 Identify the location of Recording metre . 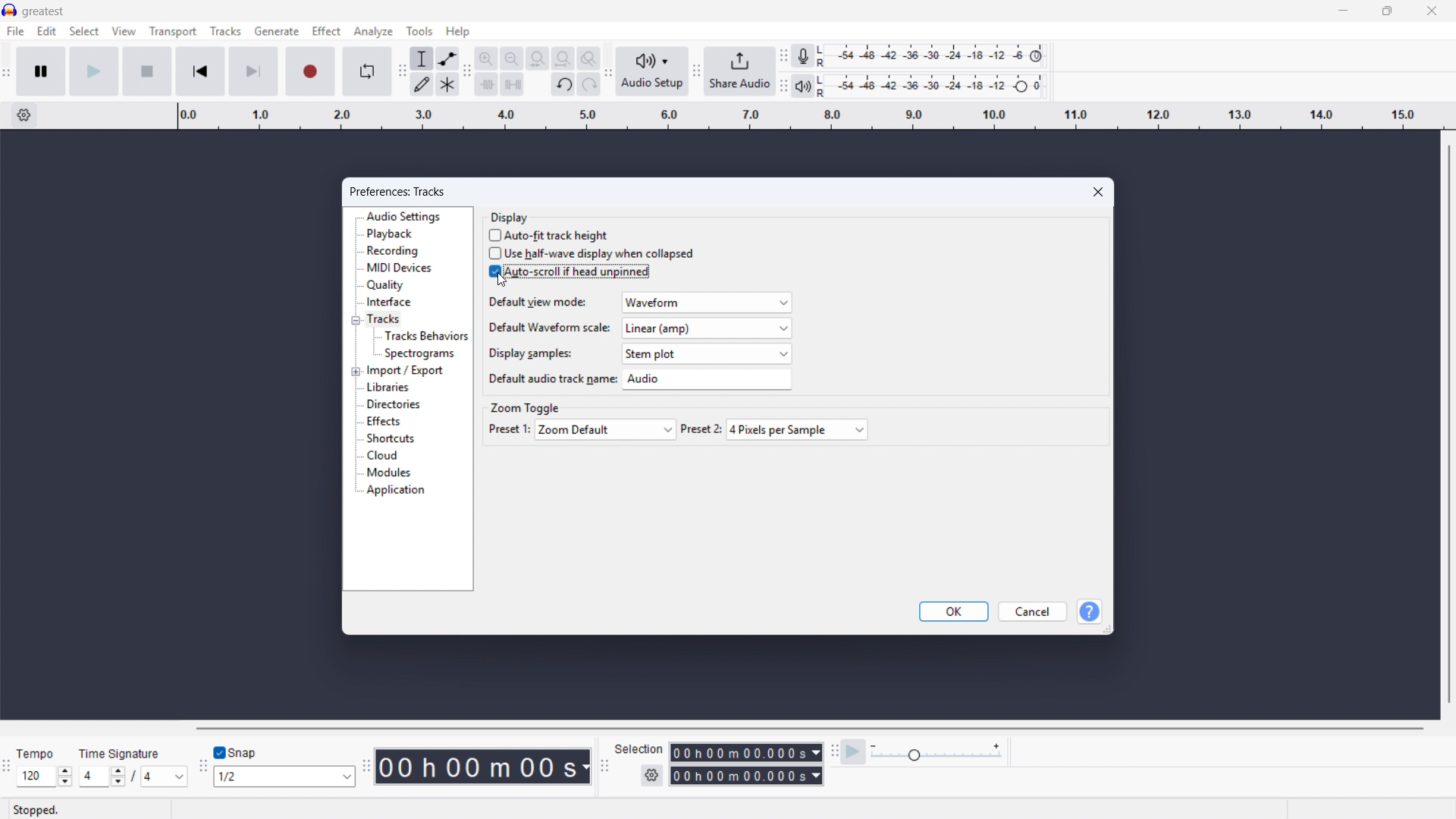
(802, 55).